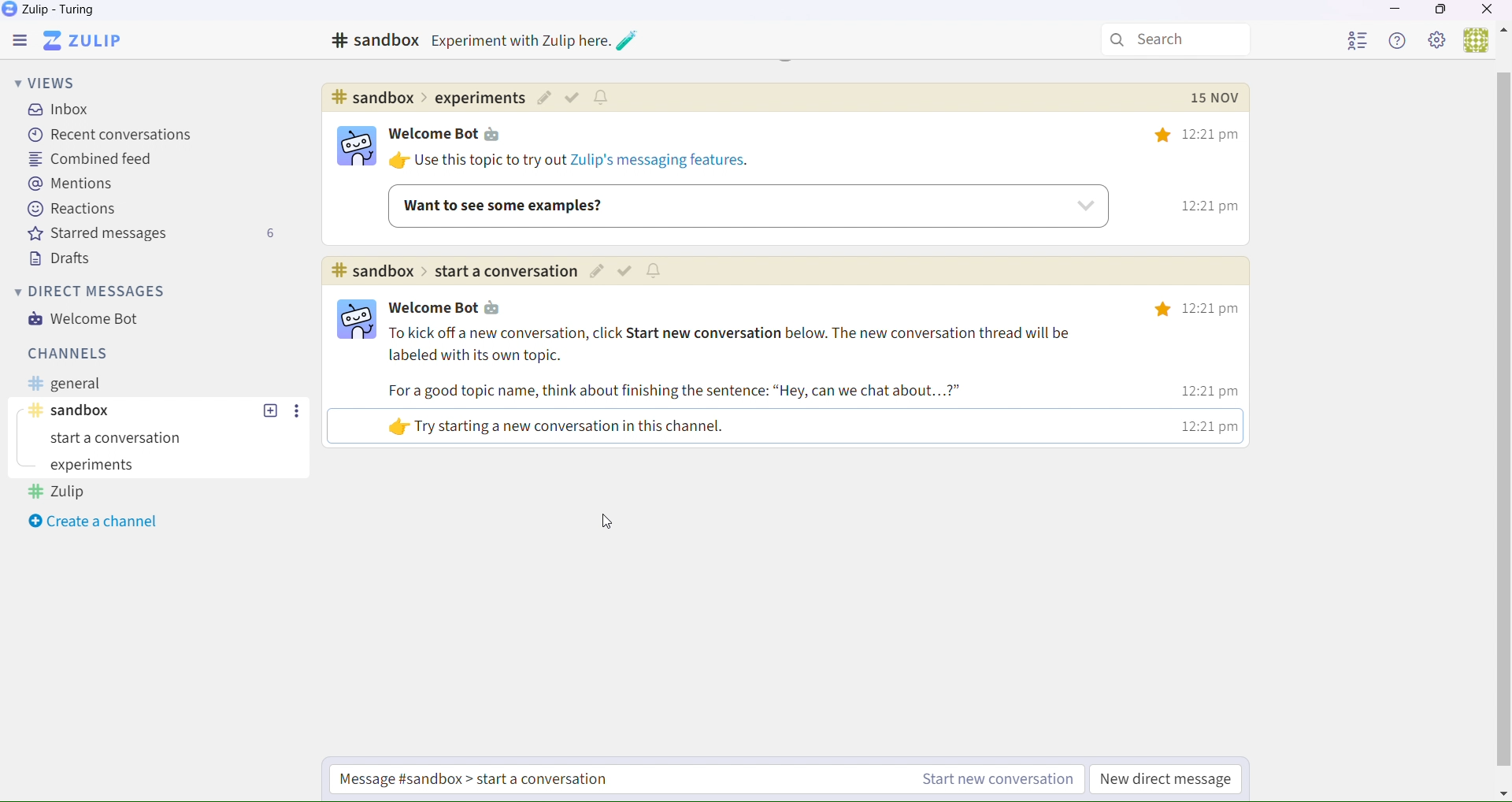 The image size is (1512, 802). What do you see at coordinates (1163, 779) in the screenshot?
I see `New direct message` at bounding box center [1163, 779].